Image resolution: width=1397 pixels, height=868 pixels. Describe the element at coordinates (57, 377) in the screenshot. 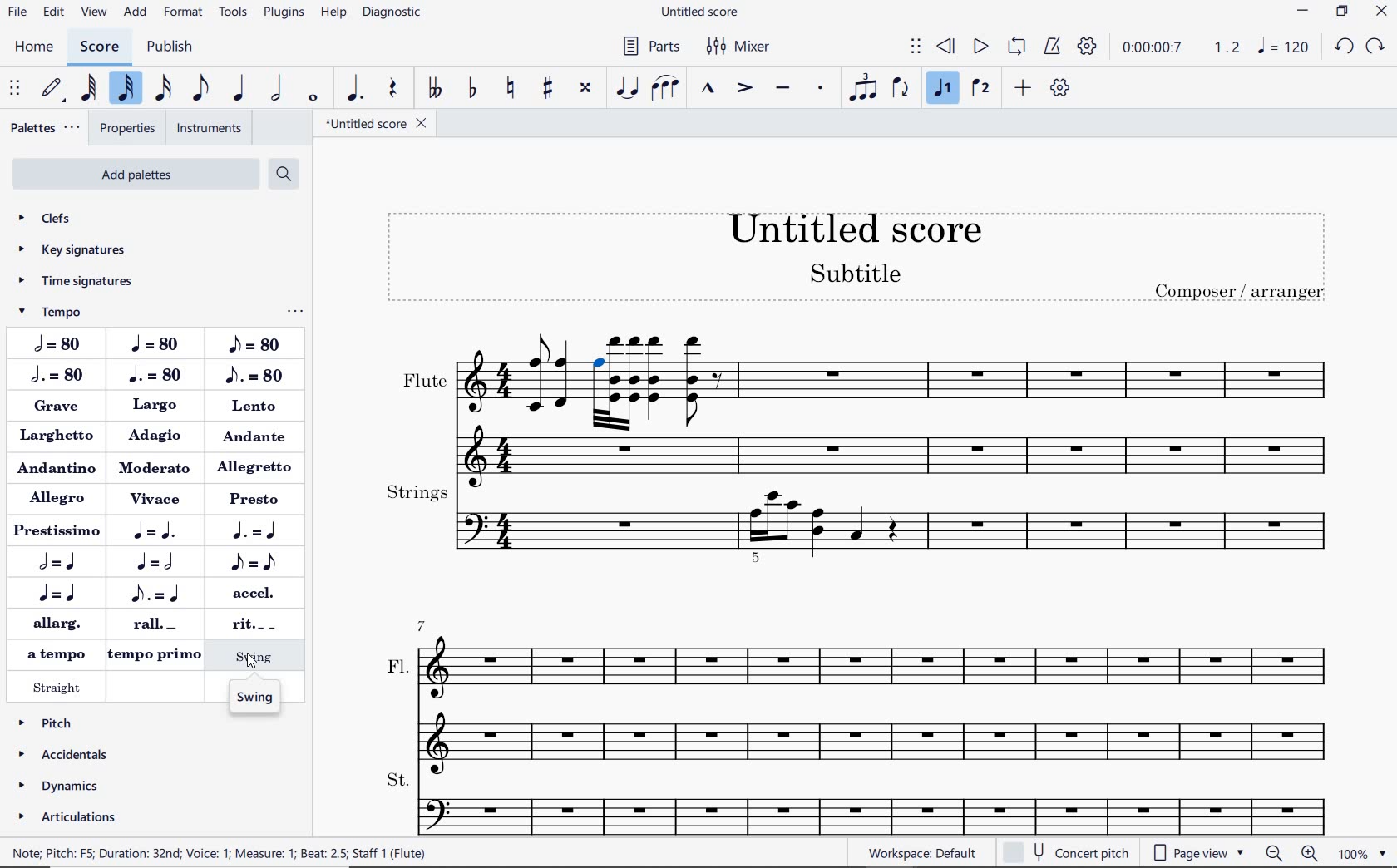

I see `DOTTED HALF NOTE` at that location.